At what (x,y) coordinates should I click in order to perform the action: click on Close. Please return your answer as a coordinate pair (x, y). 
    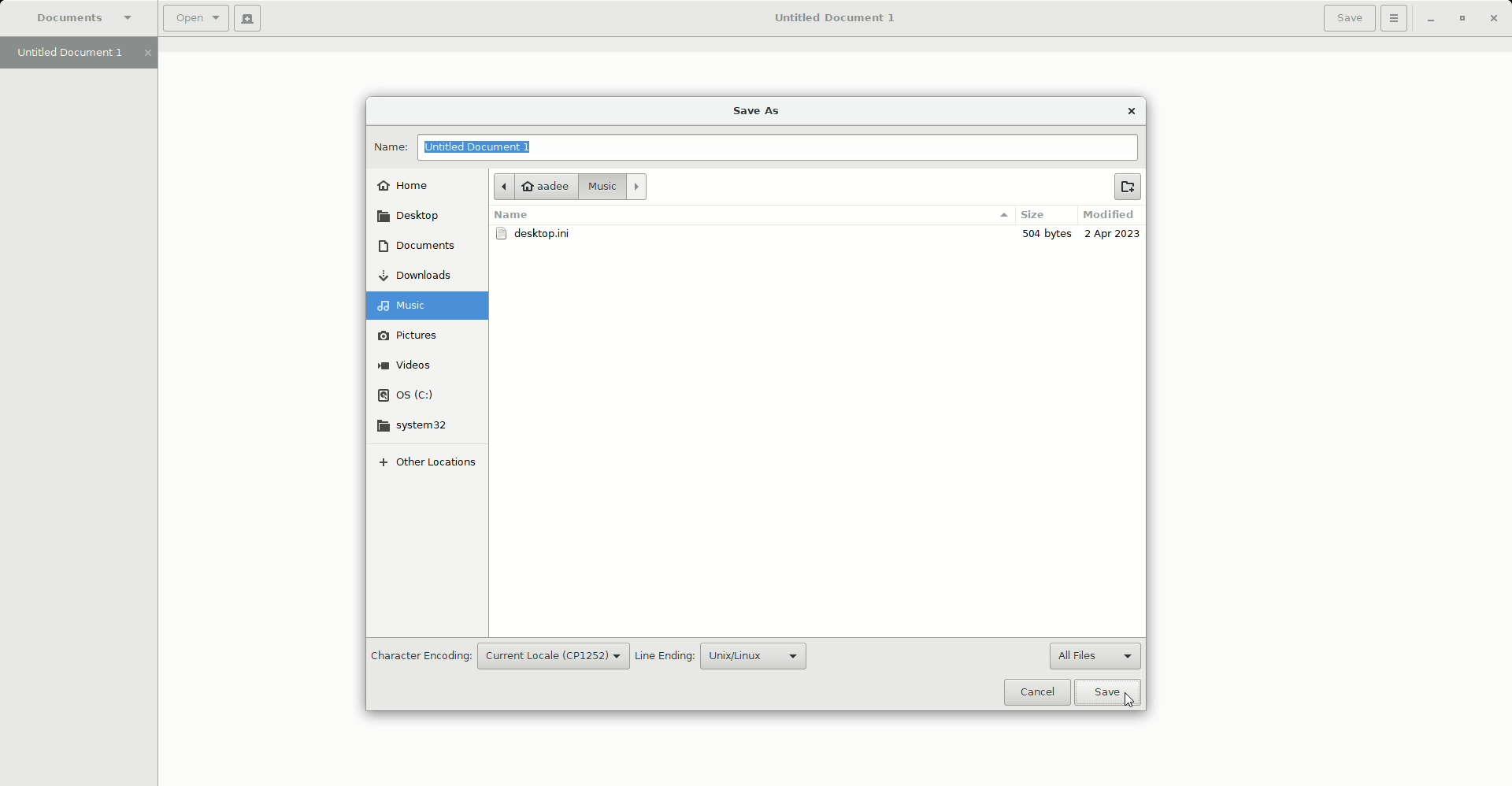
    Looking at the image, I should click on (1132, 109).